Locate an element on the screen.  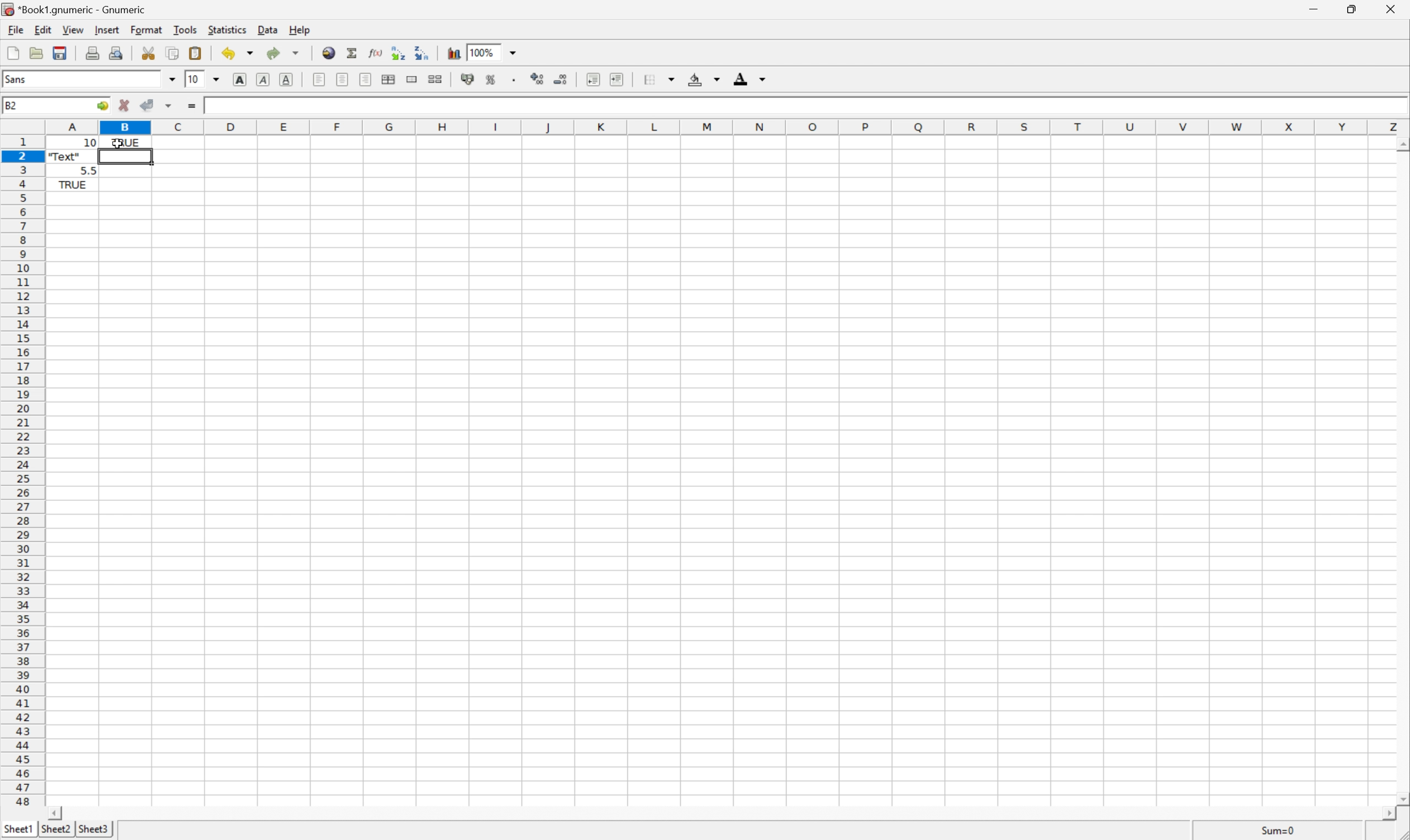
Format selection as percentage is located at coordinates (490, 79).